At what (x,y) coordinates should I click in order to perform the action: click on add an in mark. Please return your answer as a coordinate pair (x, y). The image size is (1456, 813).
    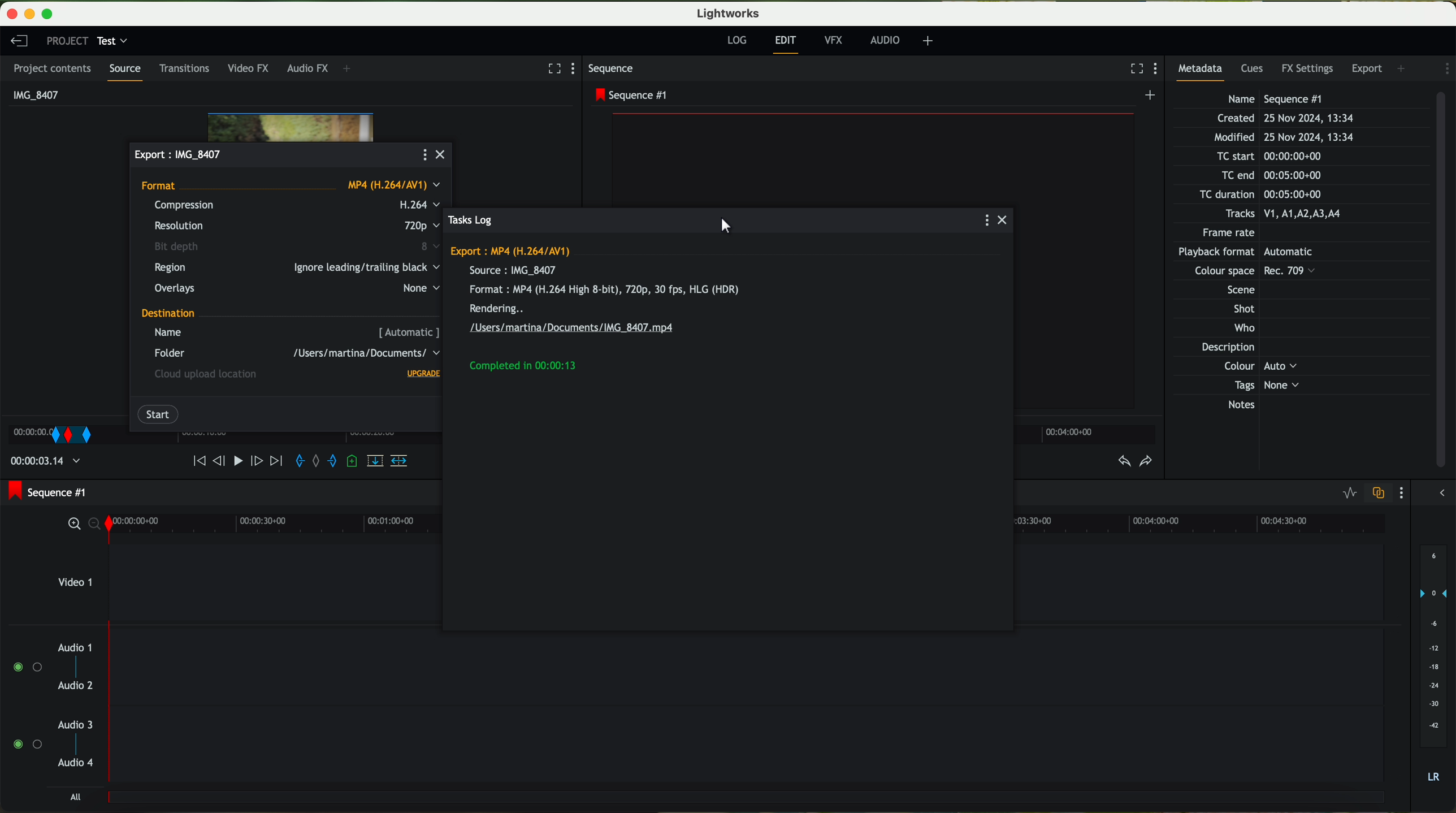
    Looking at the image, I should click on (877, 461).